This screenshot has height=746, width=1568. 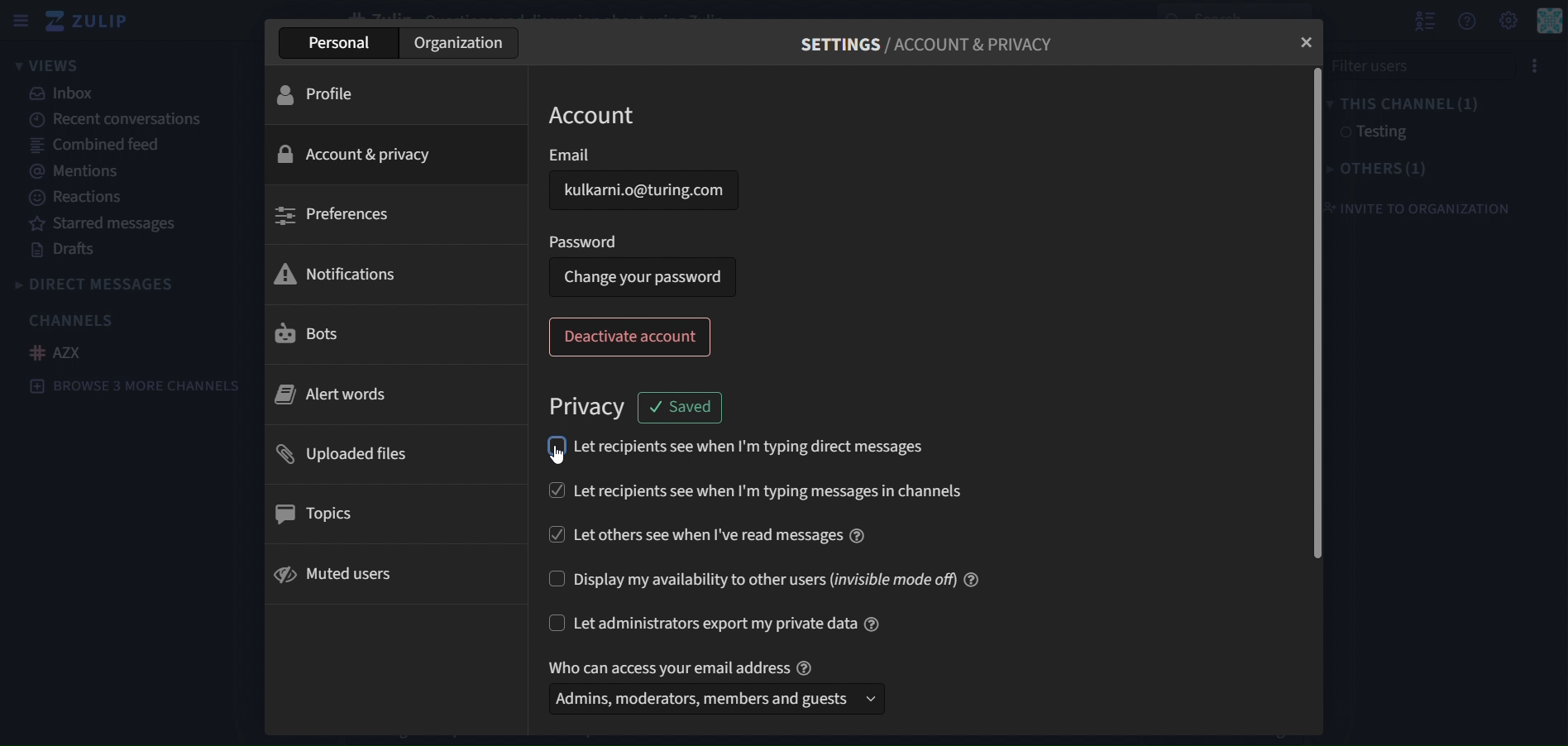 What do you see at coordinates (339, 395) in the screenshot?
I see `alert words` at bounding box center [339, 395].